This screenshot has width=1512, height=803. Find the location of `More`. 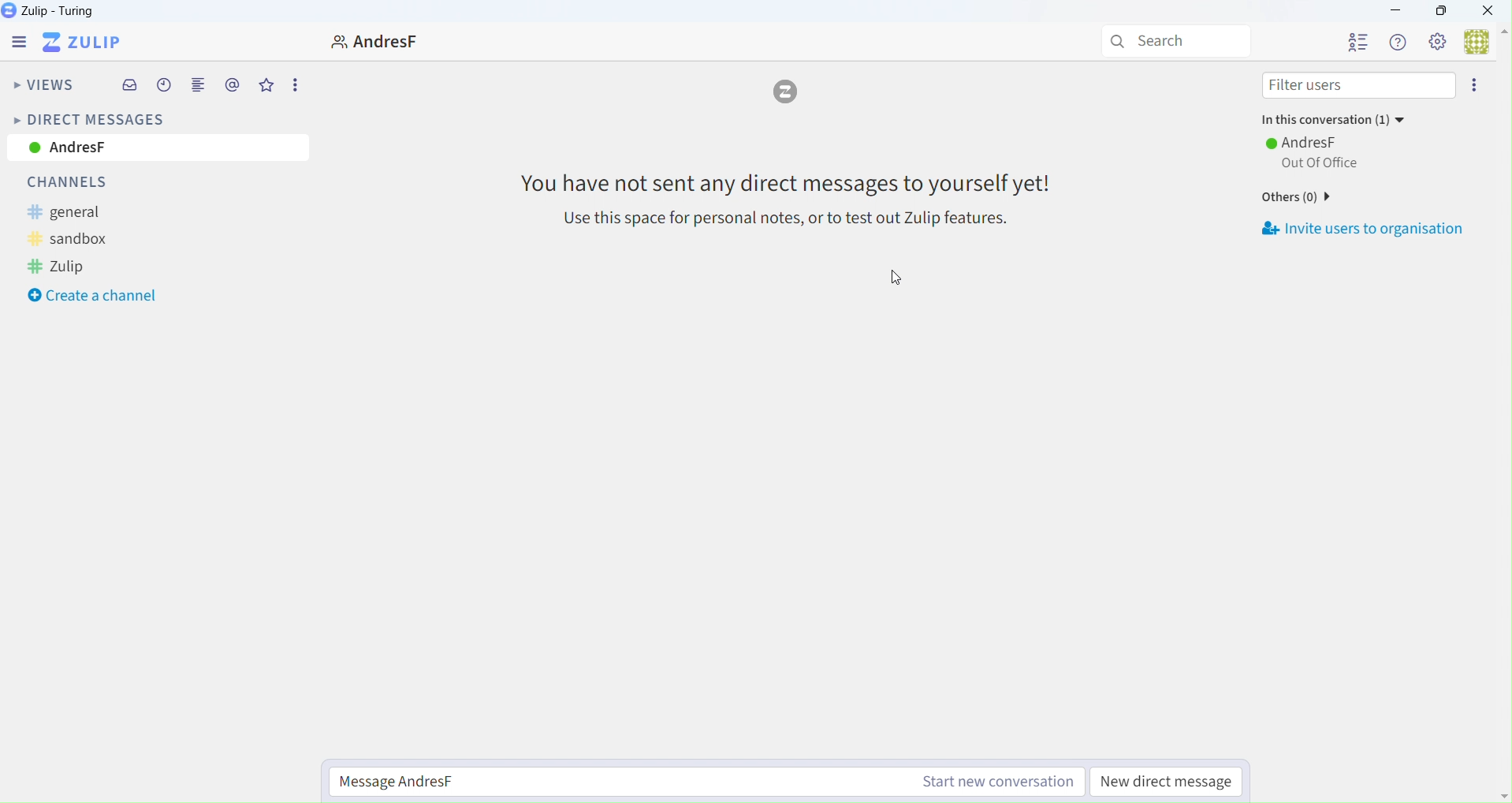

More is located at coordinates (295, 84).